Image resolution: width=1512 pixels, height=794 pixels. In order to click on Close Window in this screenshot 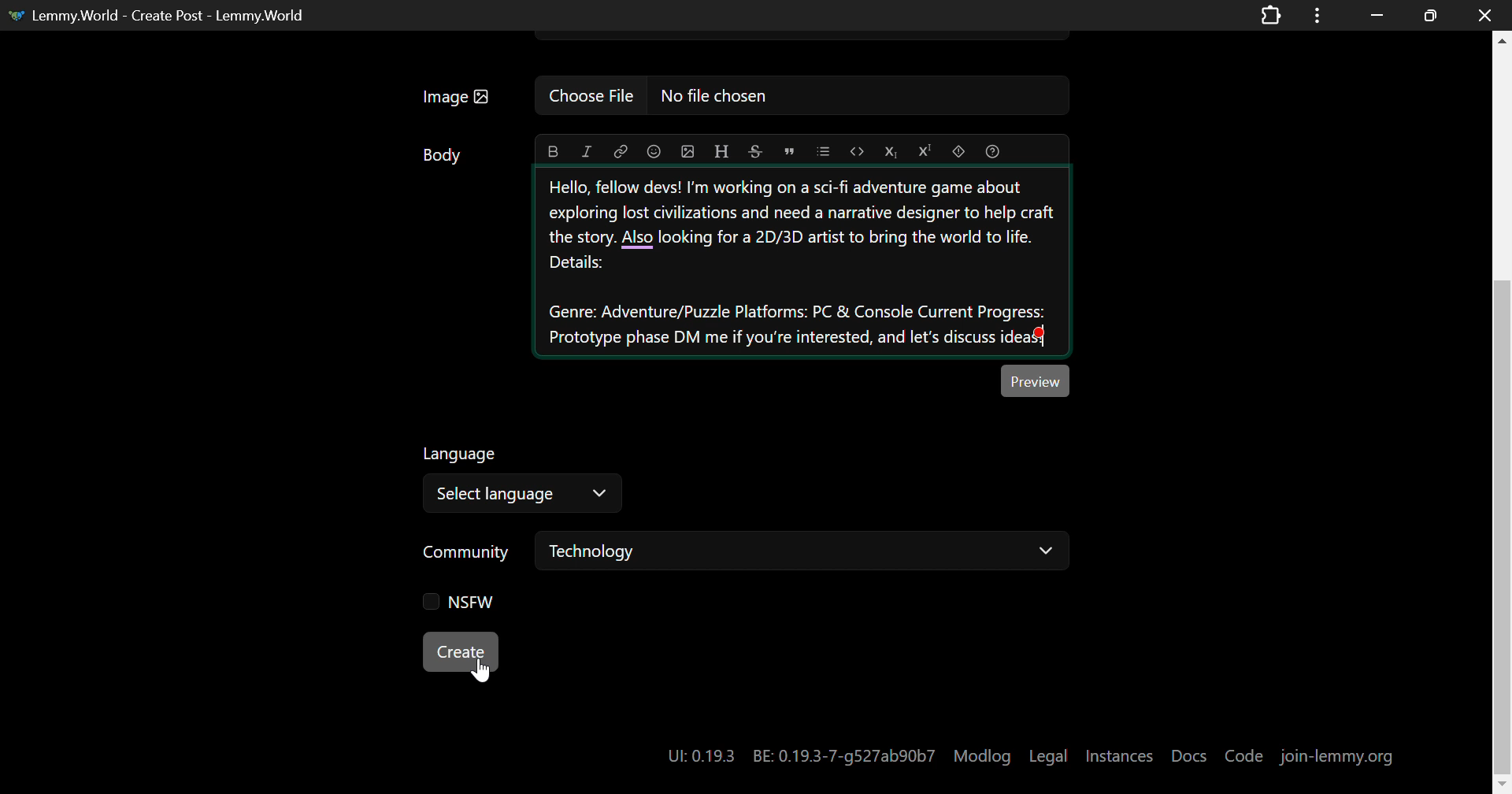, I will do `click(1480, 16)`.